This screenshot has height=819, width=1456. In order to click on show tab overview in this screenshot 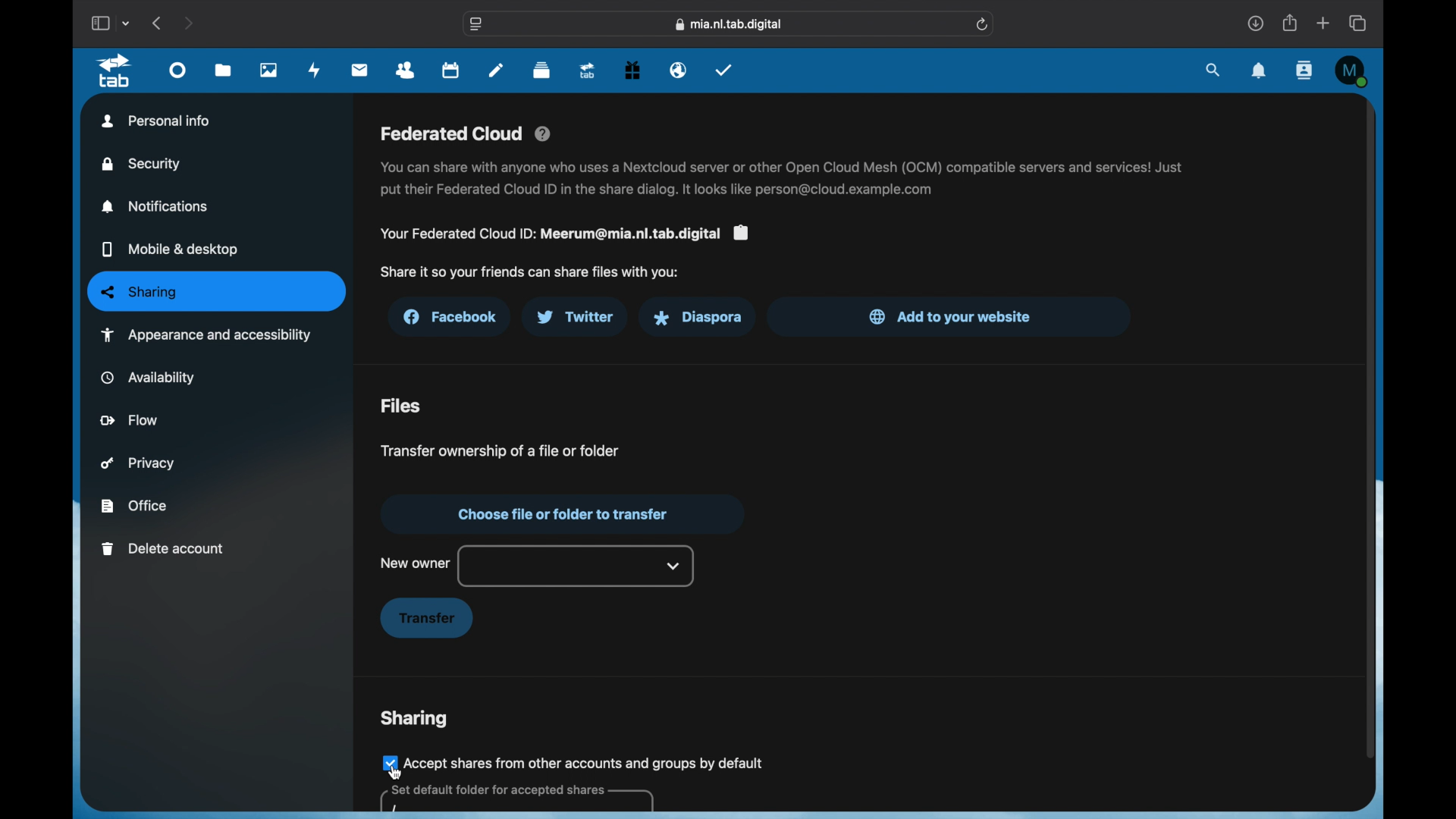, I will do `click(1359, 23)`.